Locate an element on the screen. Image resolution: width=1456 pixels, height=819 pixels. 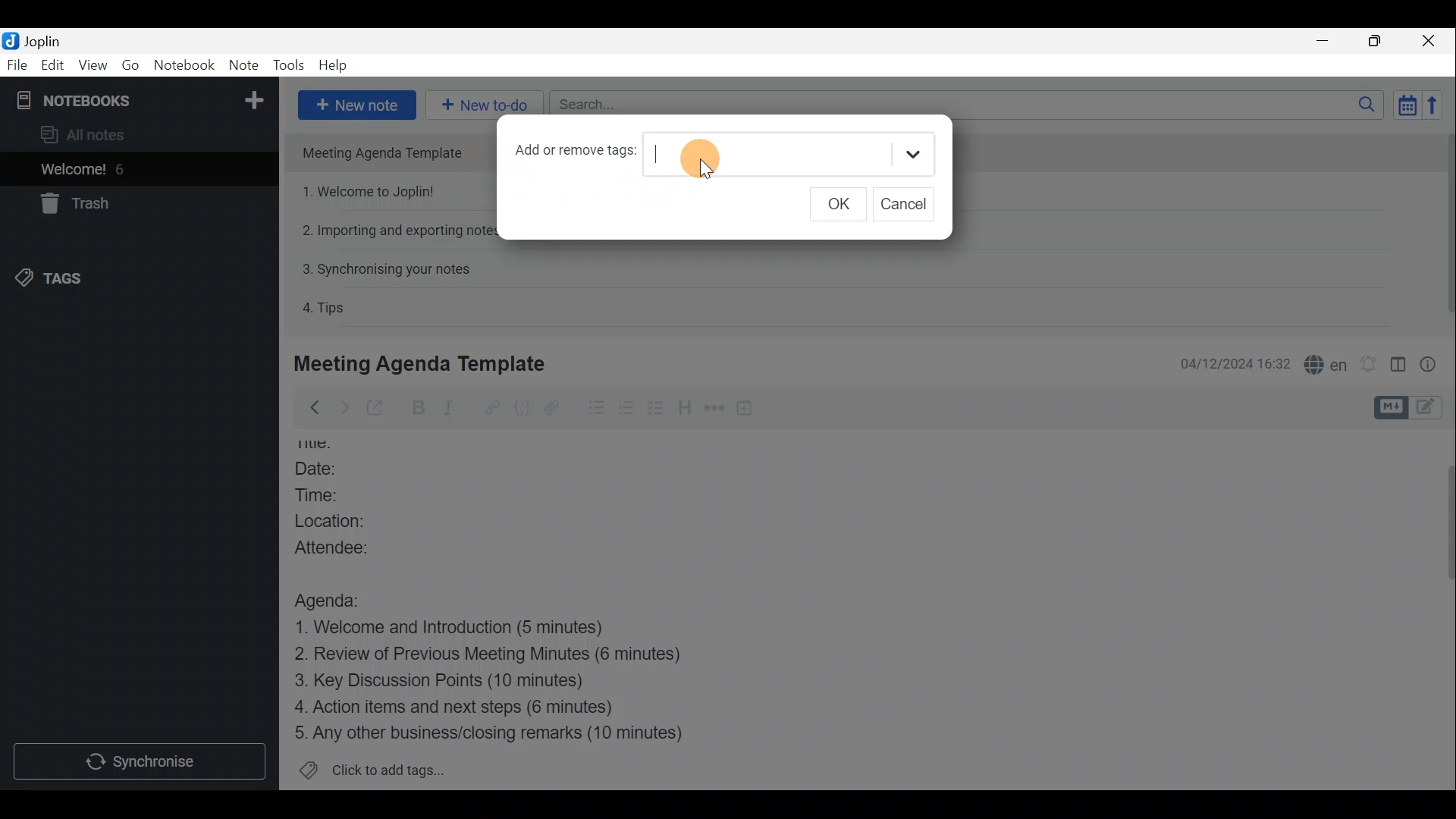
Italic is located at coordinates (458, 409).